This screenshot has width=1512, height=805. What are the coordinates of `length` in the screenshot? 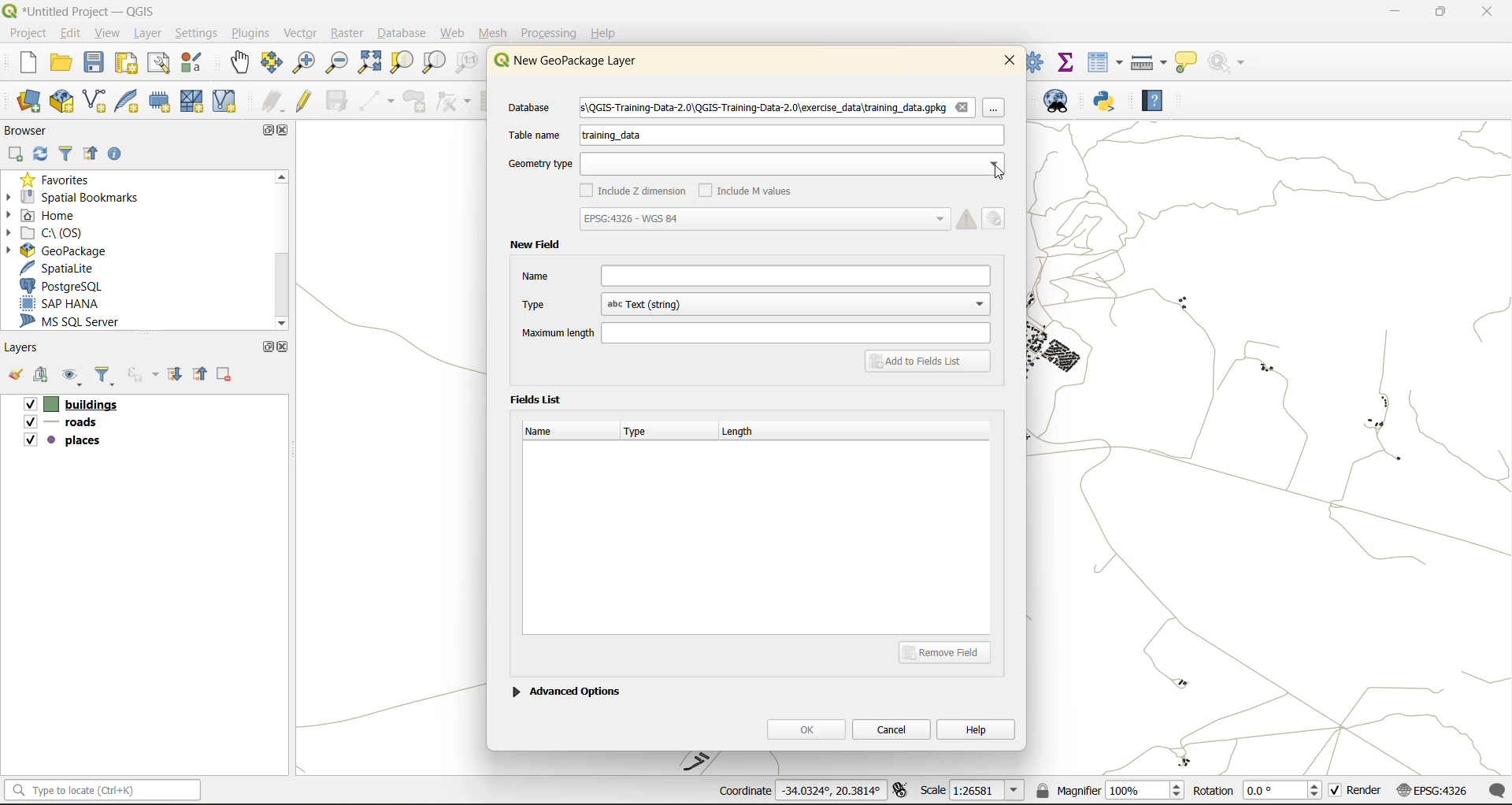 It's located at (746, 429).